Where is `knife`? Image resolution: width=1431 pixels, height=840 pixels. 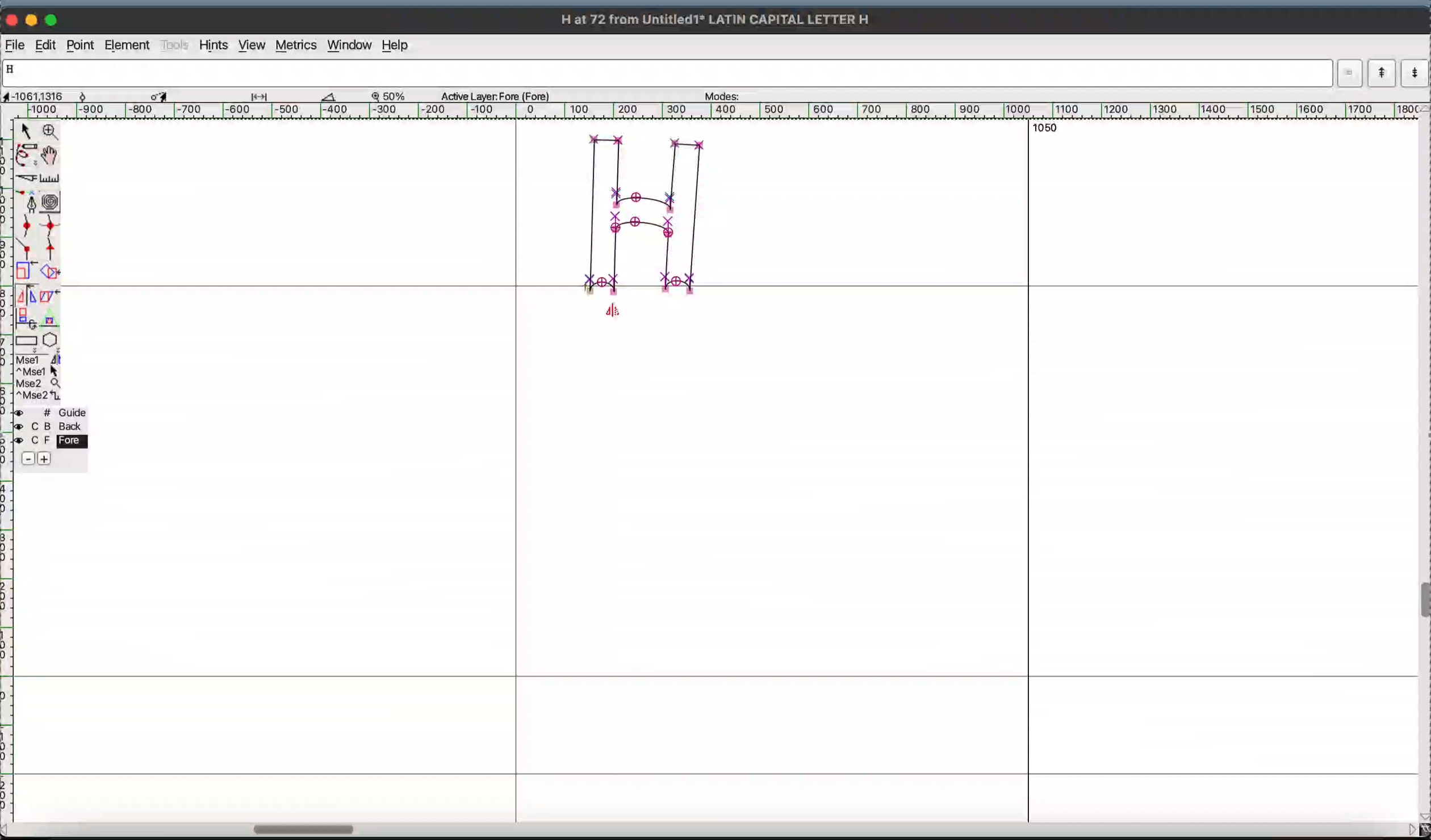
knife is located at coordinates (27, 178).